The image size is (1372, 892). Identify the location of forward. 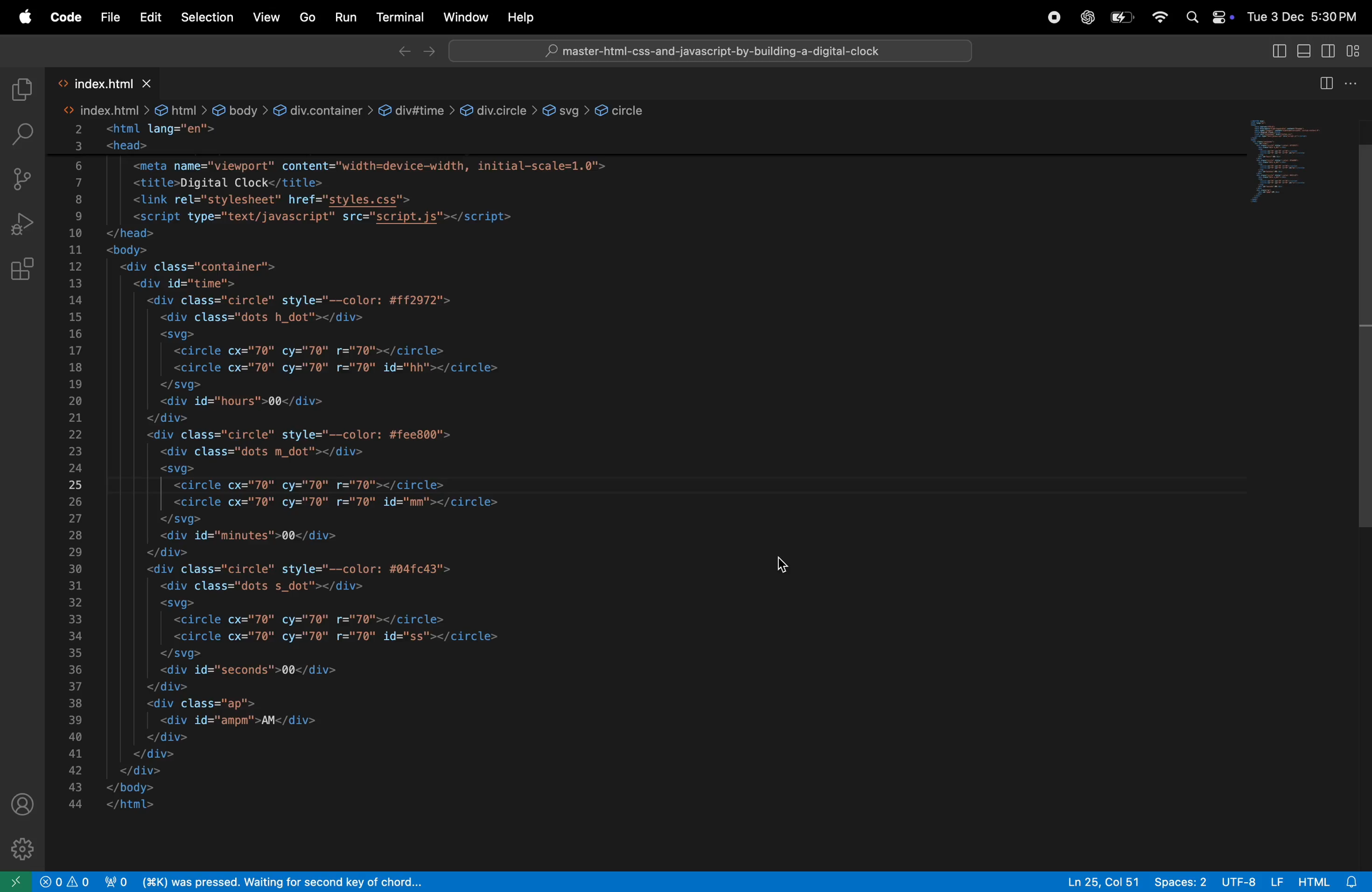
(399, 52).